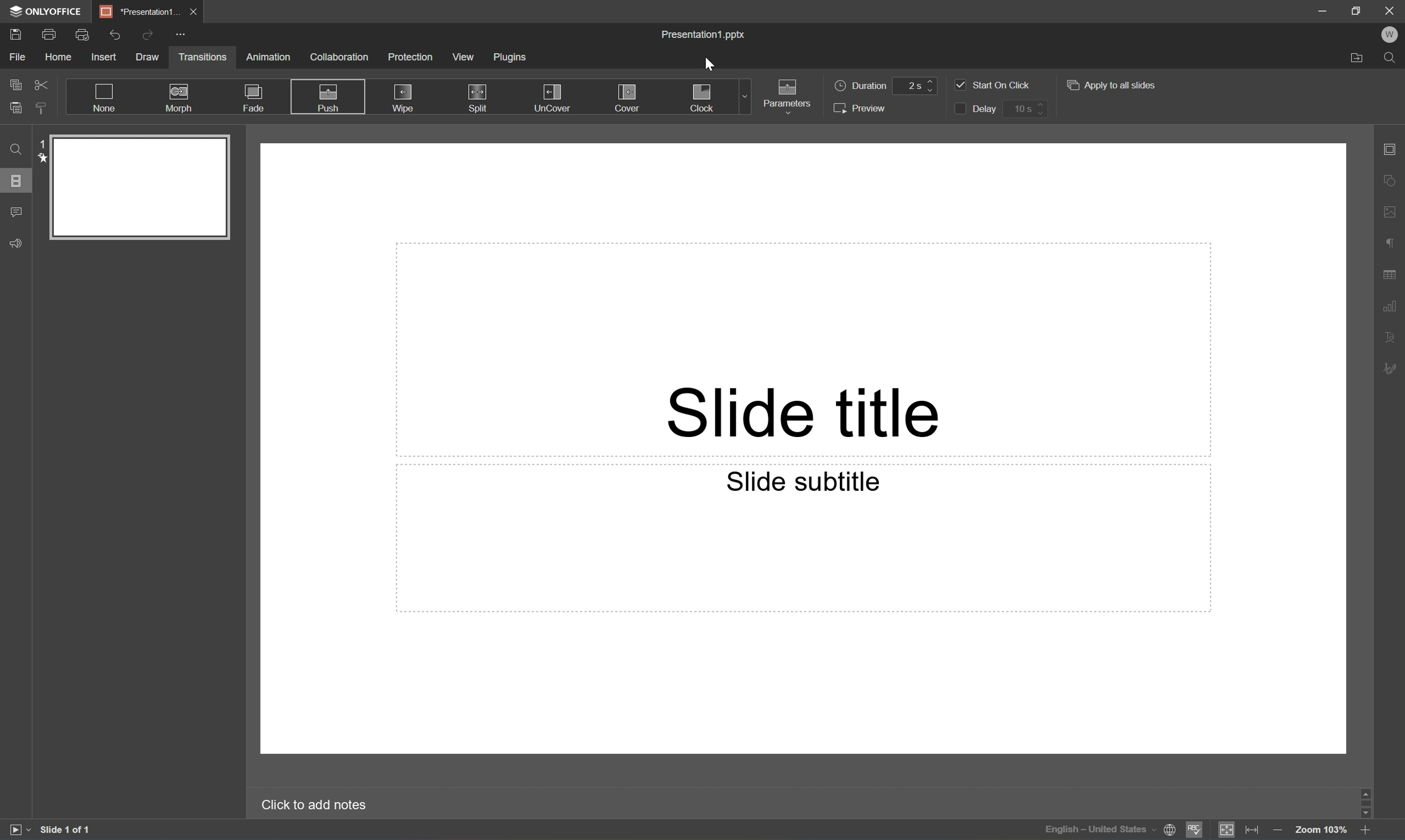  What do you see at coordinates (48, 33) in the screenshot?
I see `Print file` at bounding box center [48, 33].